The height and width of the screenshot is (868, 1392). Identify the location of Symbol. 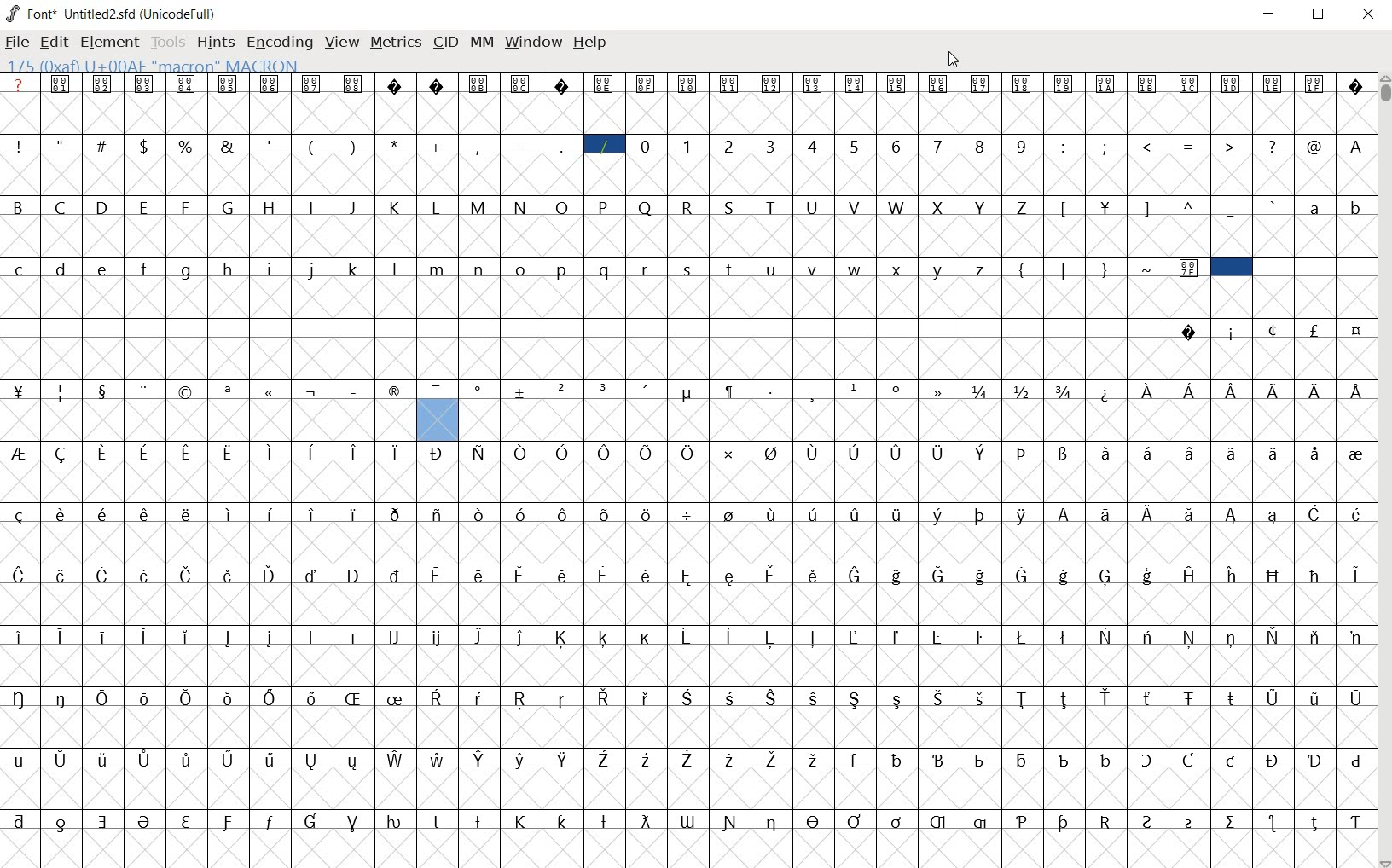
(772, 391).